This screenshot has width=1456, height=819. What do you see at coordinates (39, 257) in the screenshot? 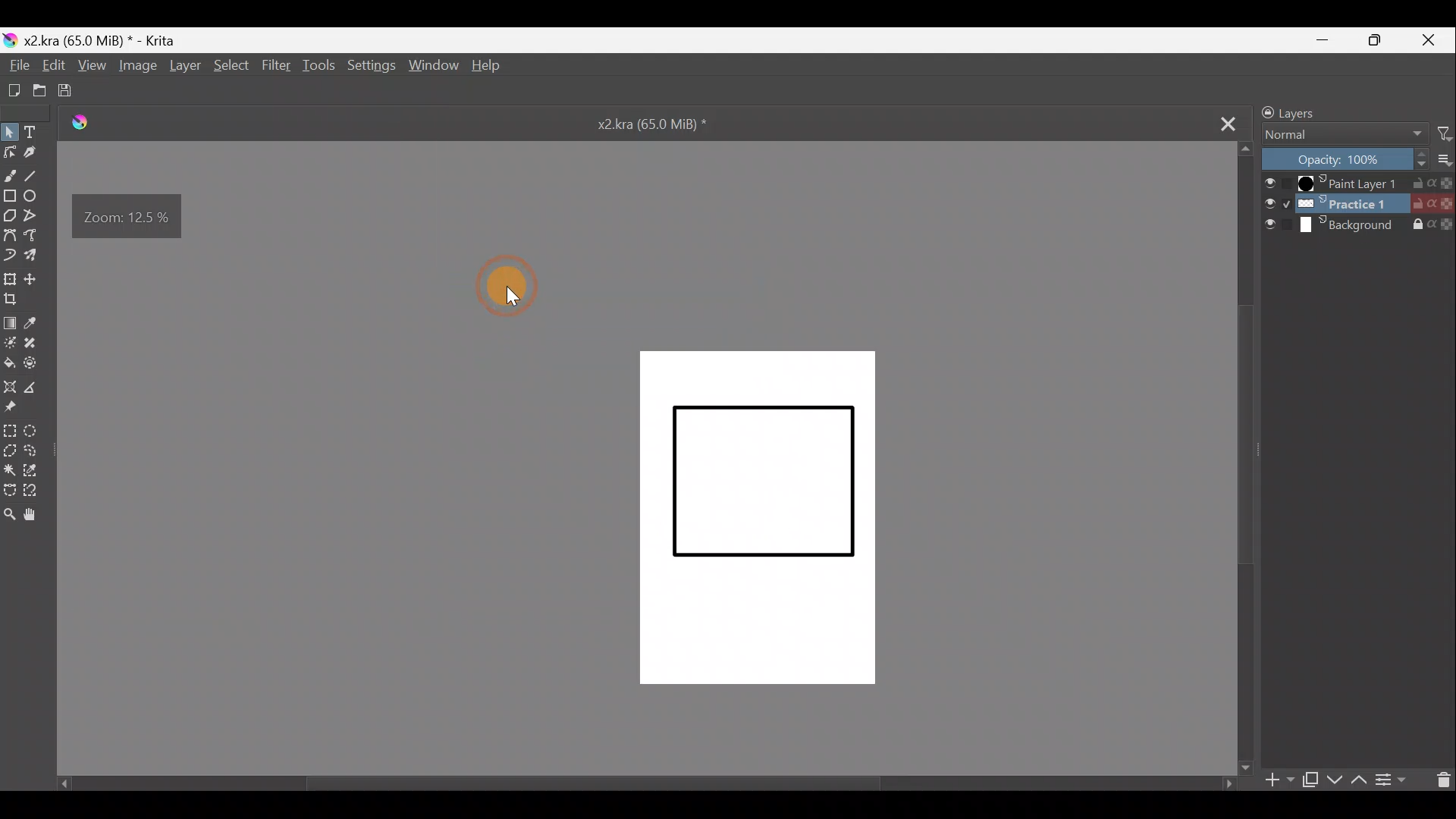
I see `Multibrush tool` at bounding box center [39, 257].